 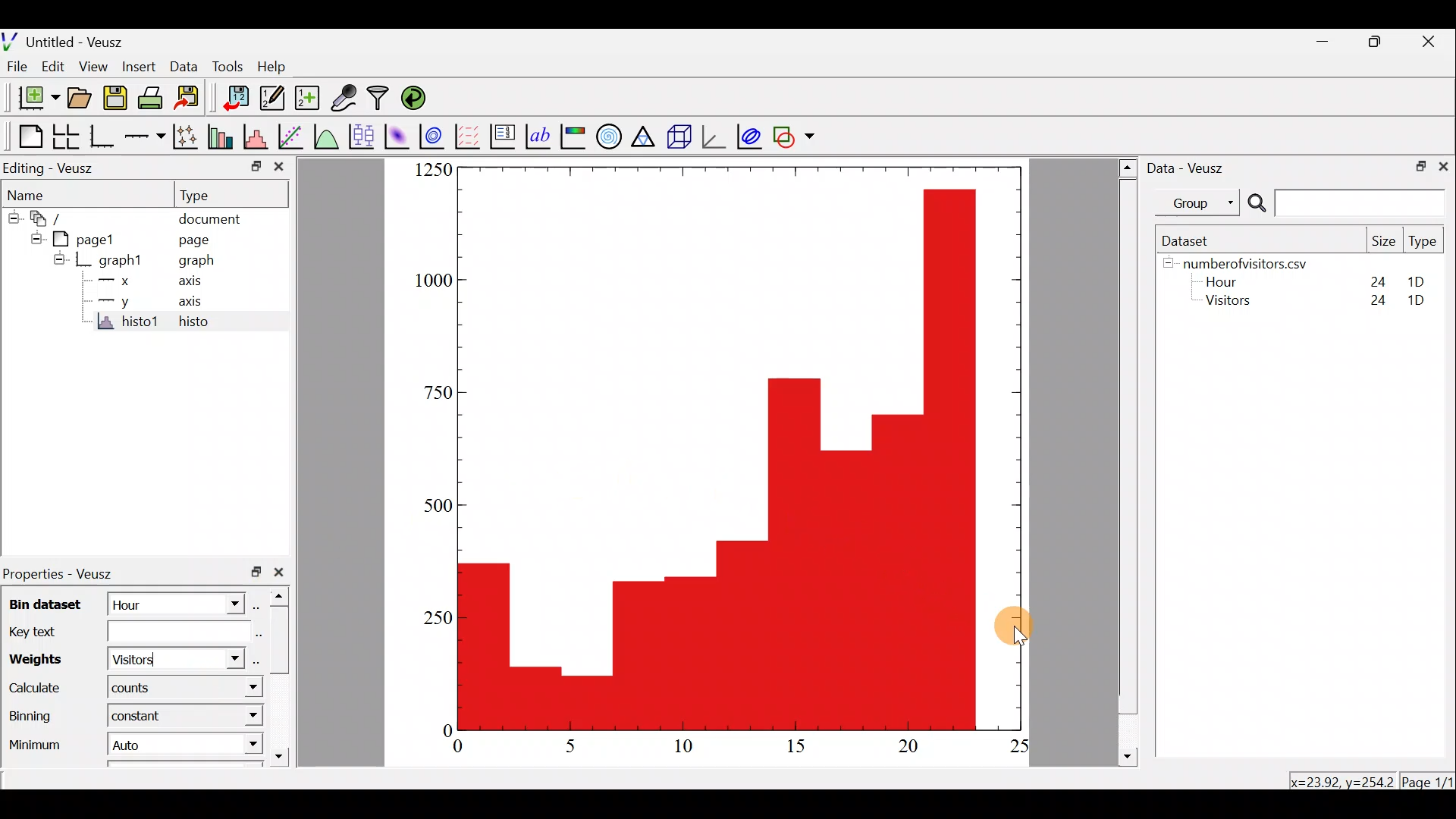 I want to click on plot key, so click(x=501, y=136).